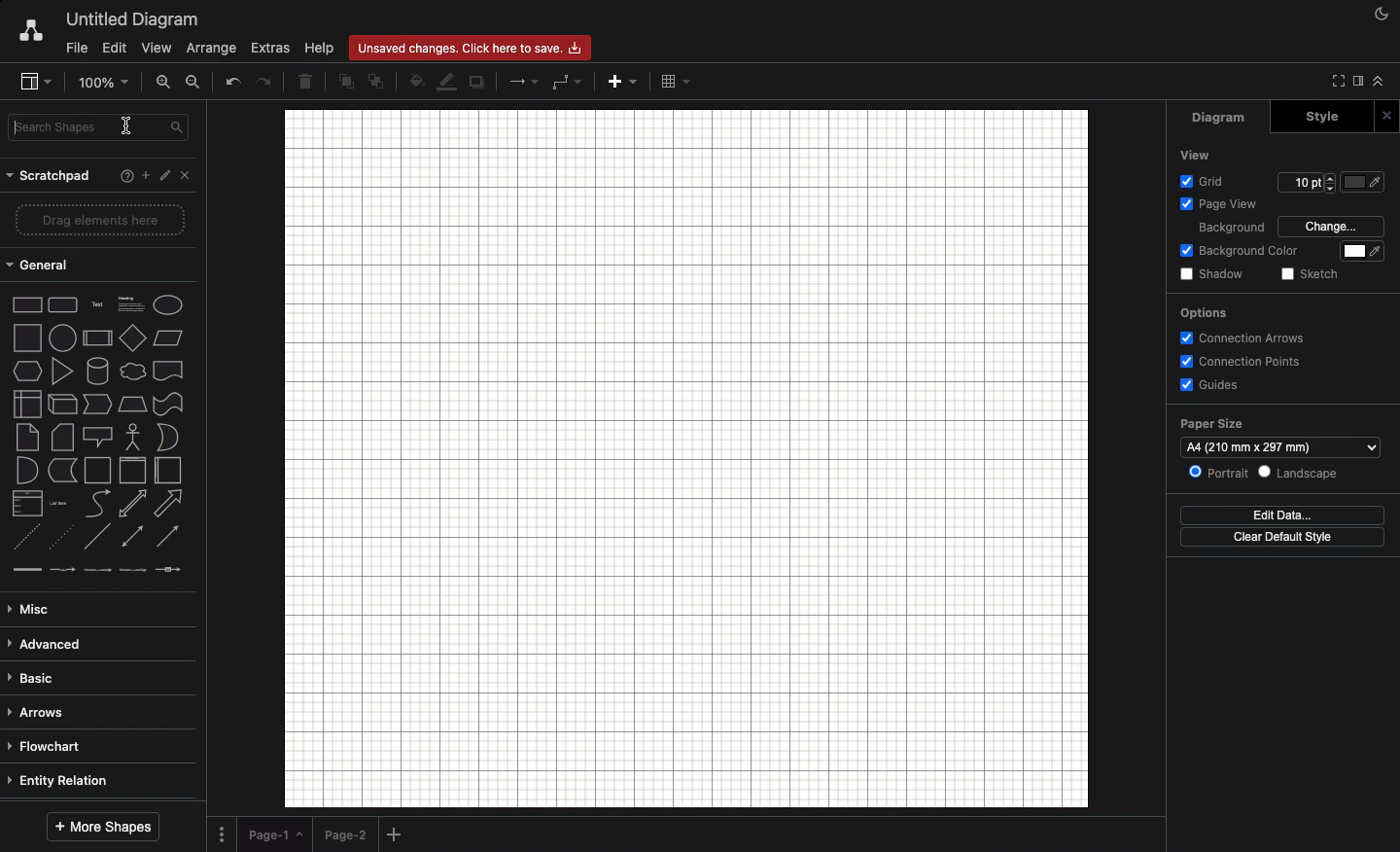 This screenshot has width=1400, height=852. What do you see at coordinates (1335, 81) in the screenshot?
I see `Fullscreen` at bounding box center [1335, 81].